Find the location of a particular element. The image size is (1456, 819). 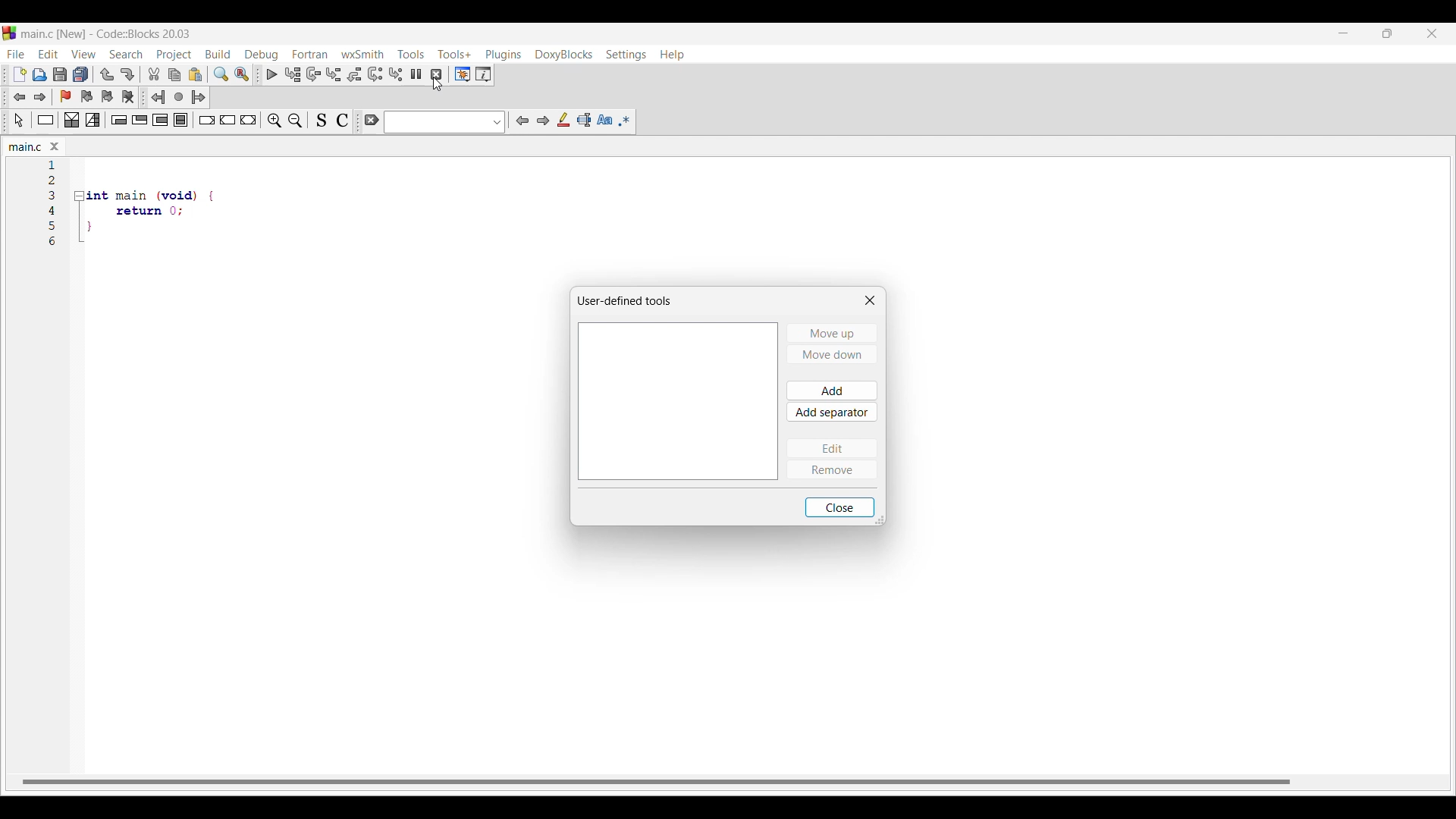

New file is located at coordinates (20, 74).